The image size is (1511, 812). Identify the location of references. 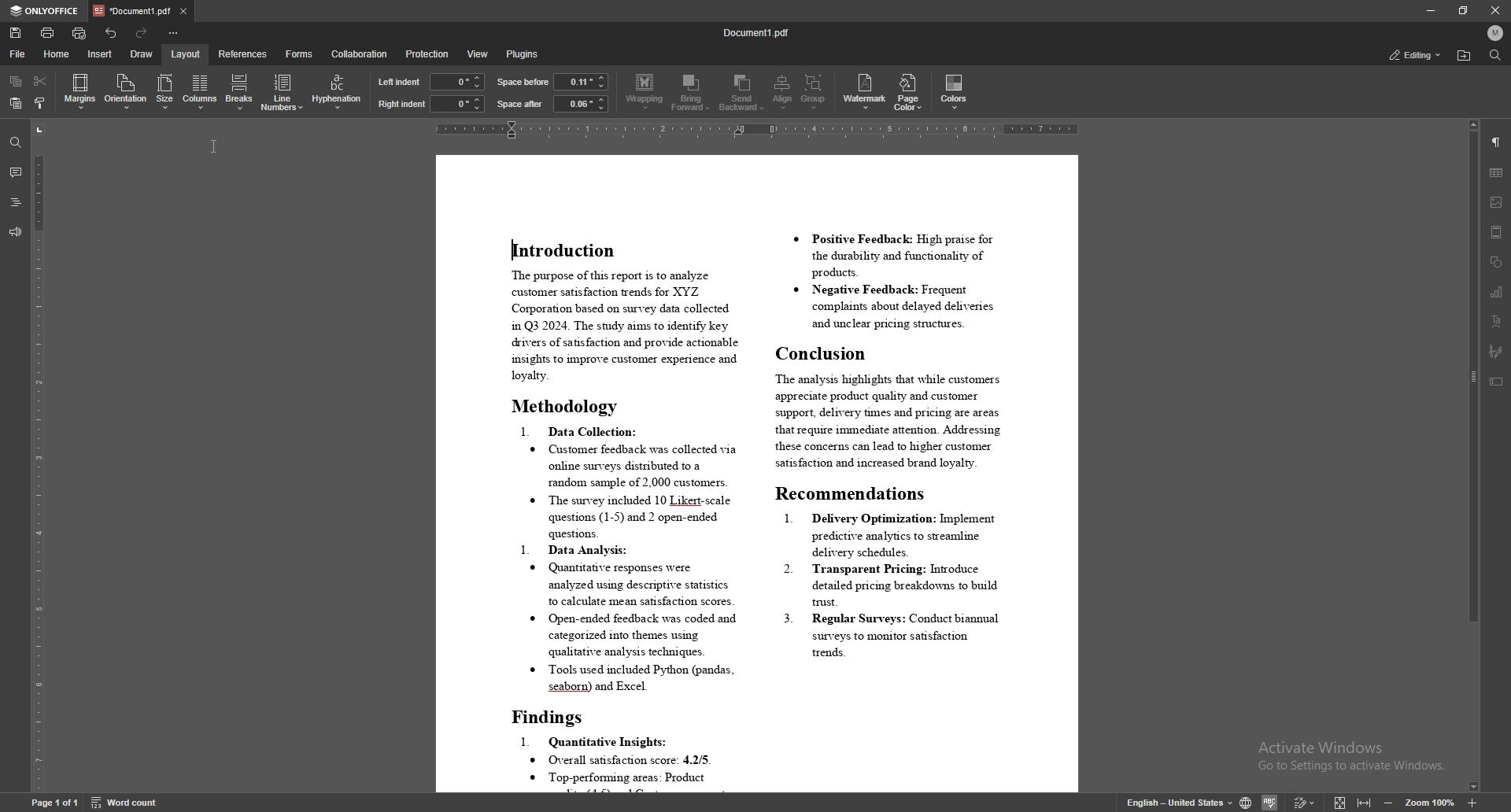
(242, 53).